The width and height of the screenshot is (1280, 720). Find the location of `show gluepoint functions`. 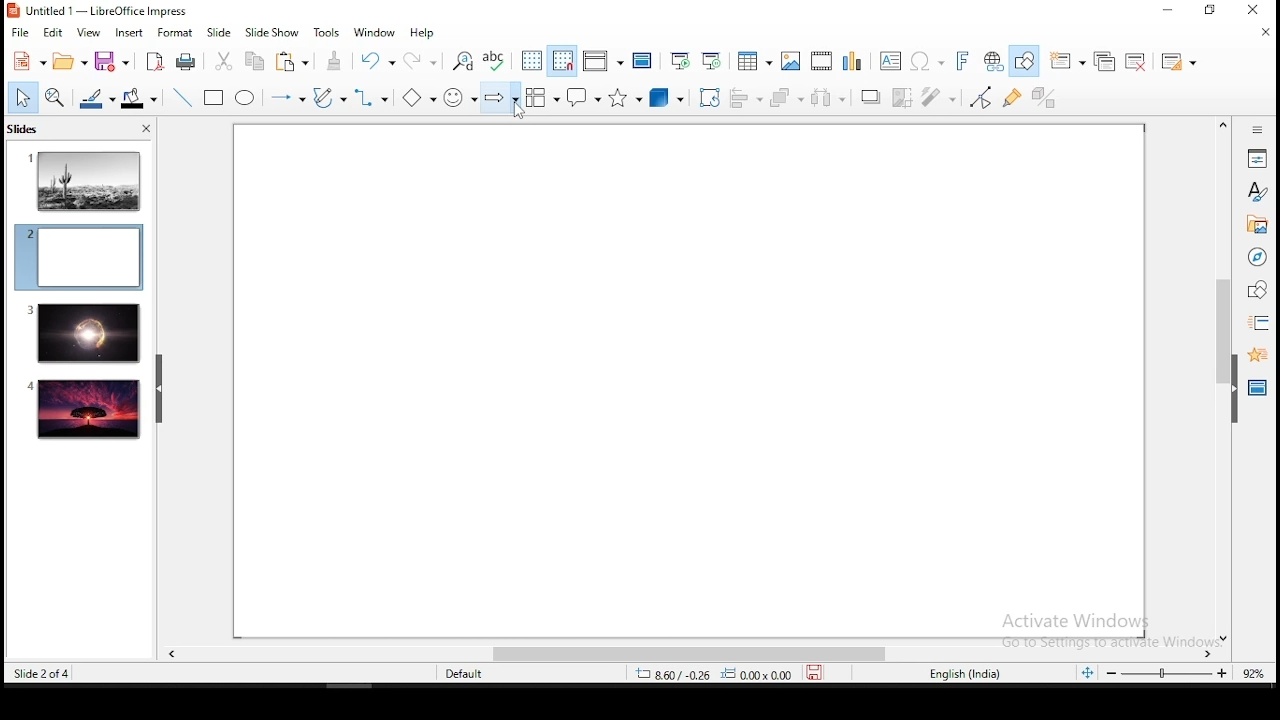

show gluepoint functions is located at coordinates (1017, 97).